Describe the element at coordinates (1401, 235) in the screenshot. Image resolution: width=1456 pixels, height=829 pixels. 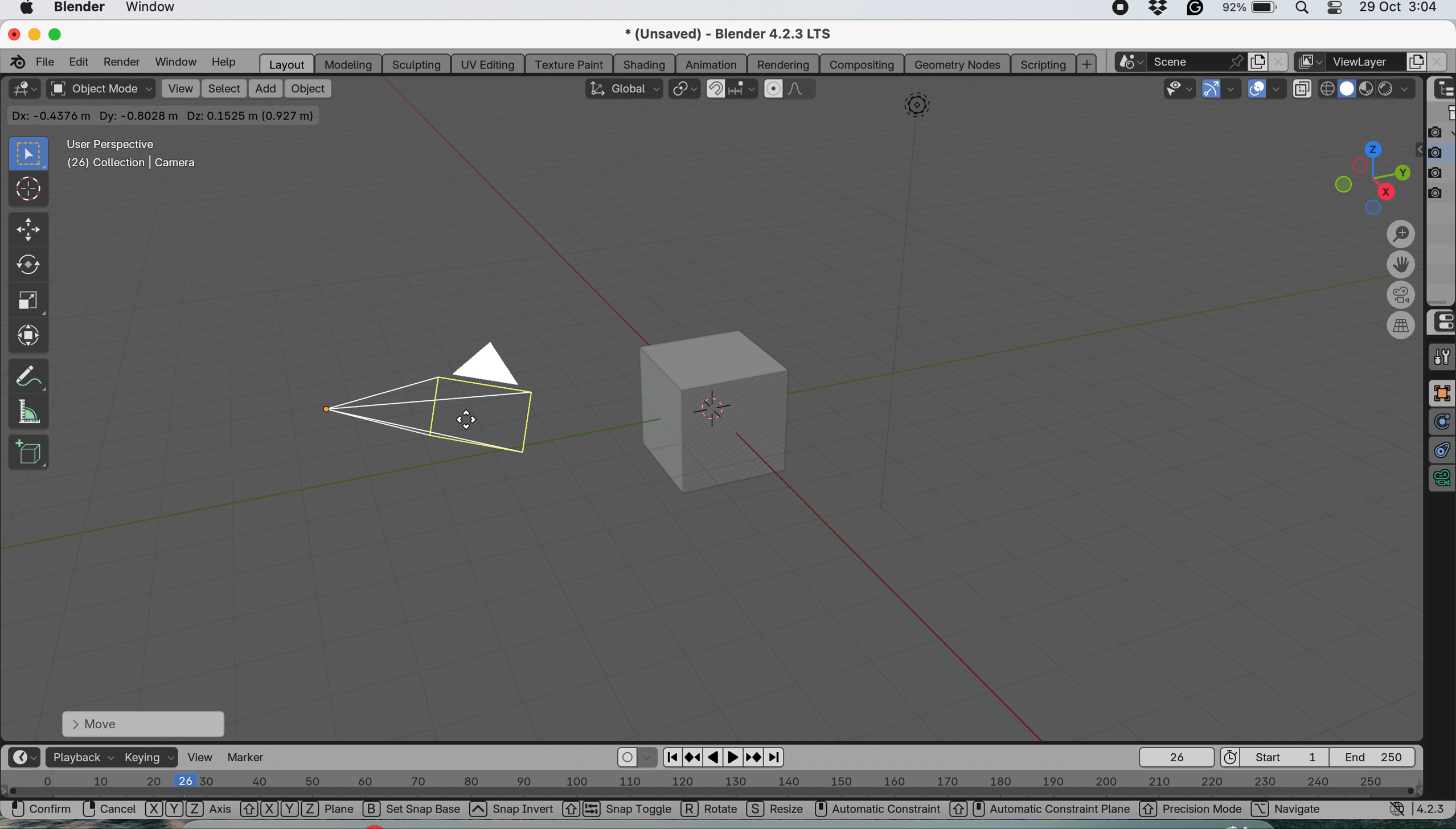
I see `zoom in-out` at that location.